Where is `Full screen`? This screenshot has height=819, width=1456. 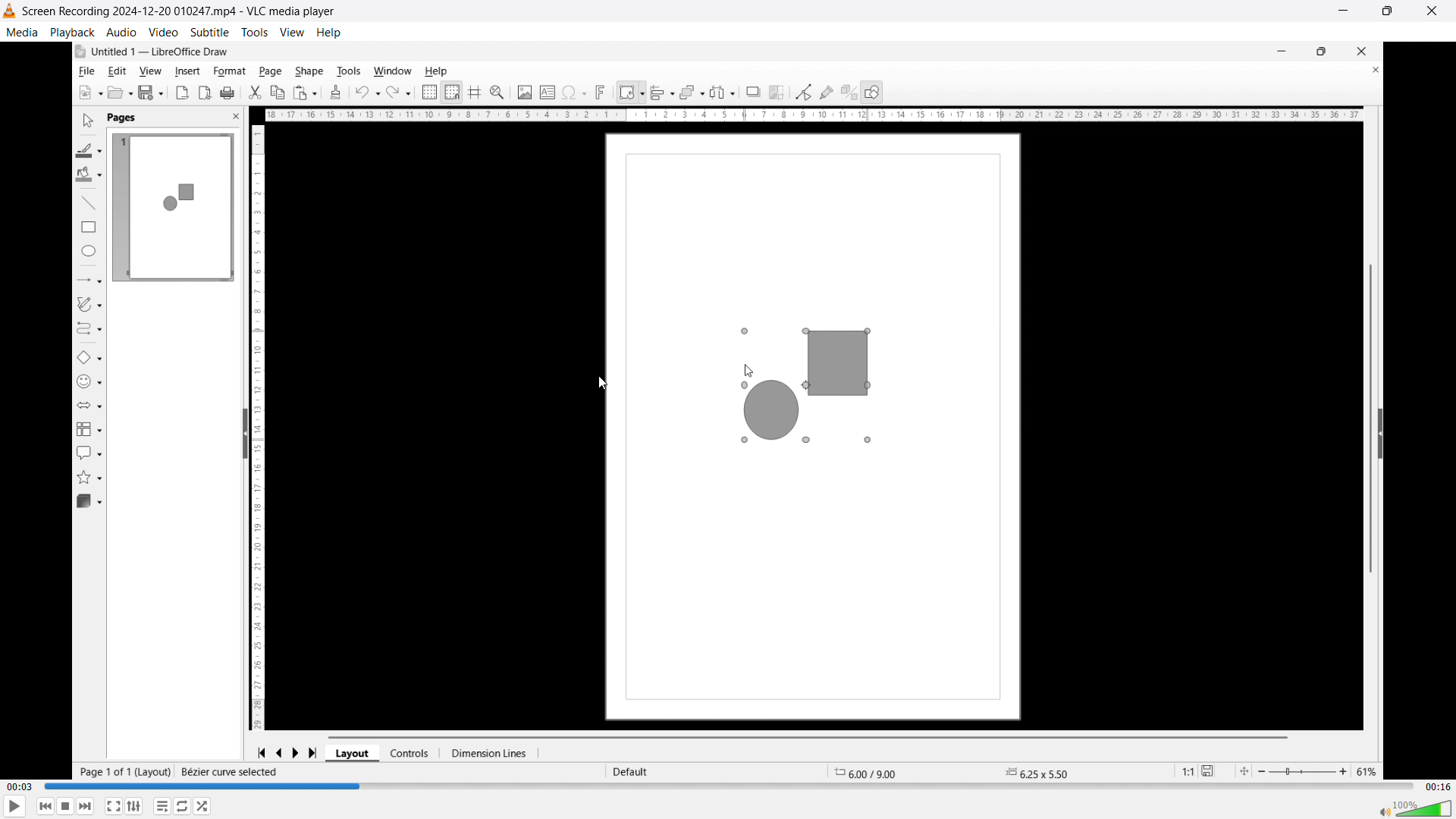 Full screen is located at coordinates (114, 806).